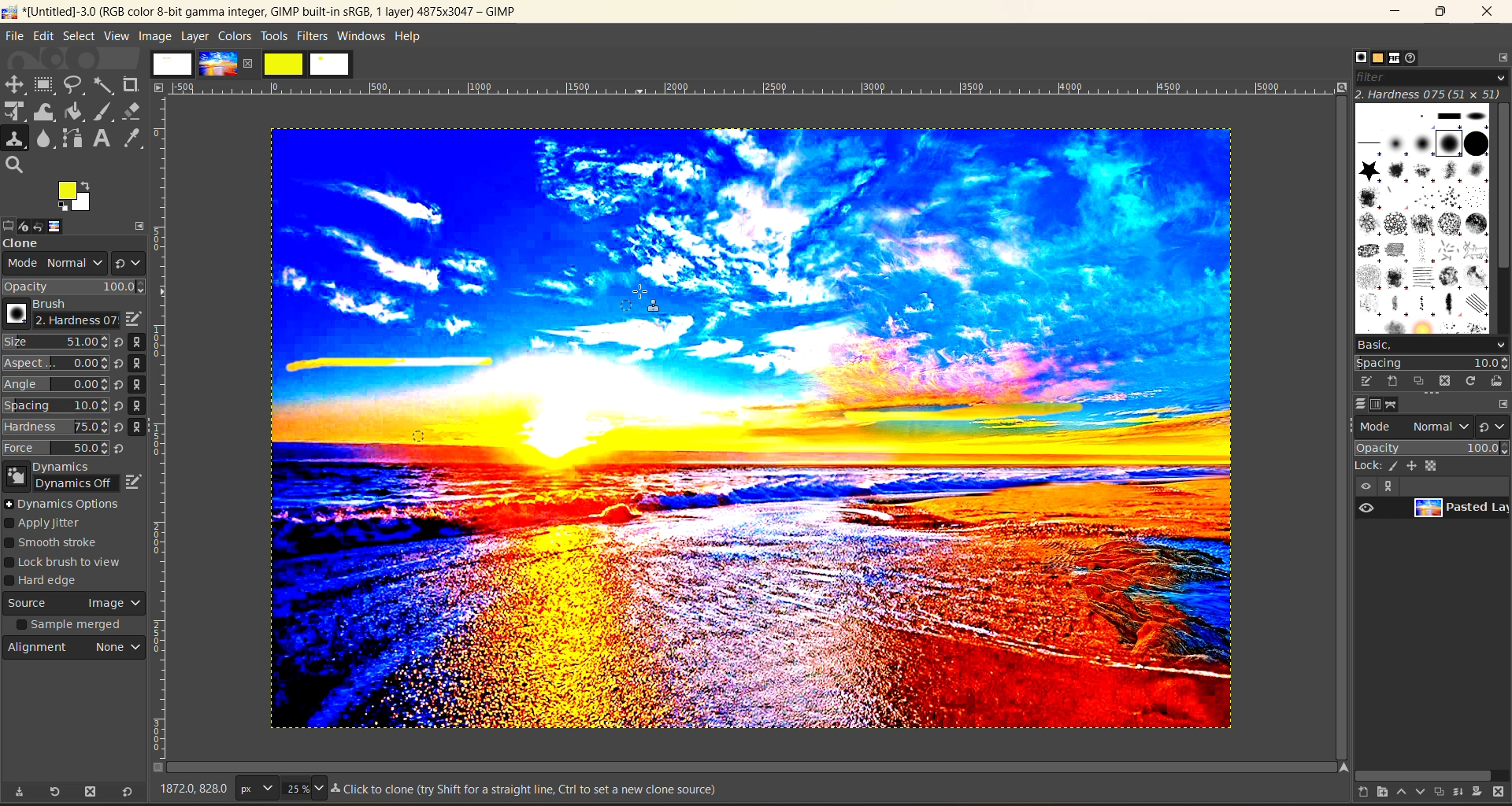 The width and height of the screenshot is (1512, 806). Describe the element at coordinates (76, 84) in the screenshot. I see `free select tool` at that location.